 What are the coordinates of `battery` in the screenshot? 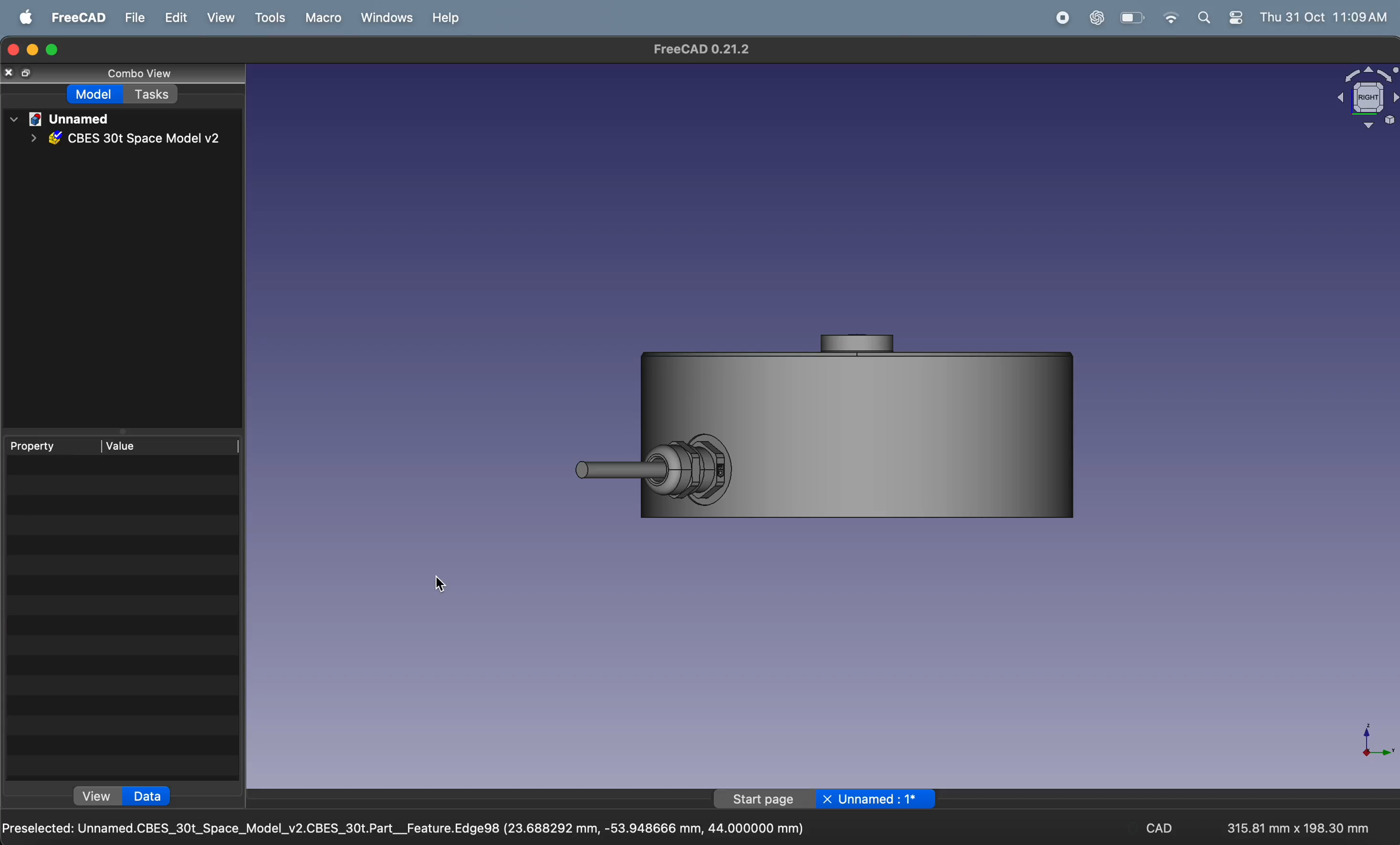 It's located at (1134, 17).